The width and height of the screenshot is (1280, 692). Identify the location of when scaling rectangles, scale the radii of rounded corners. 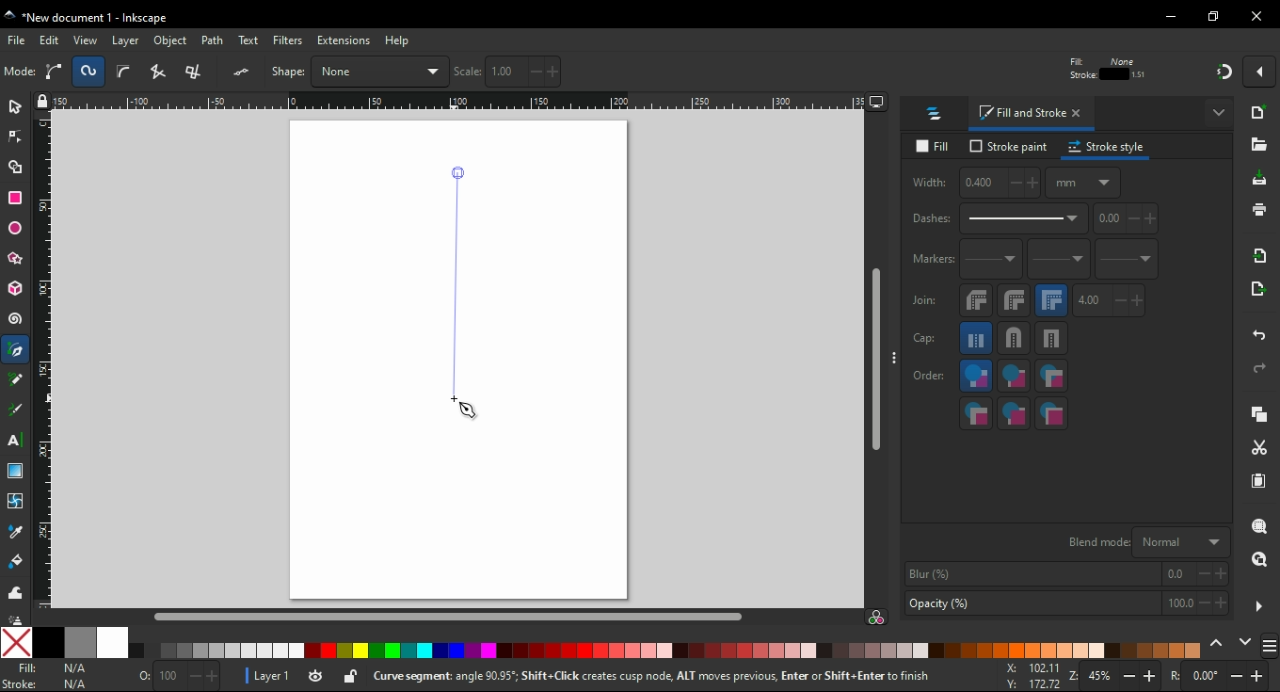
(1104, 72).